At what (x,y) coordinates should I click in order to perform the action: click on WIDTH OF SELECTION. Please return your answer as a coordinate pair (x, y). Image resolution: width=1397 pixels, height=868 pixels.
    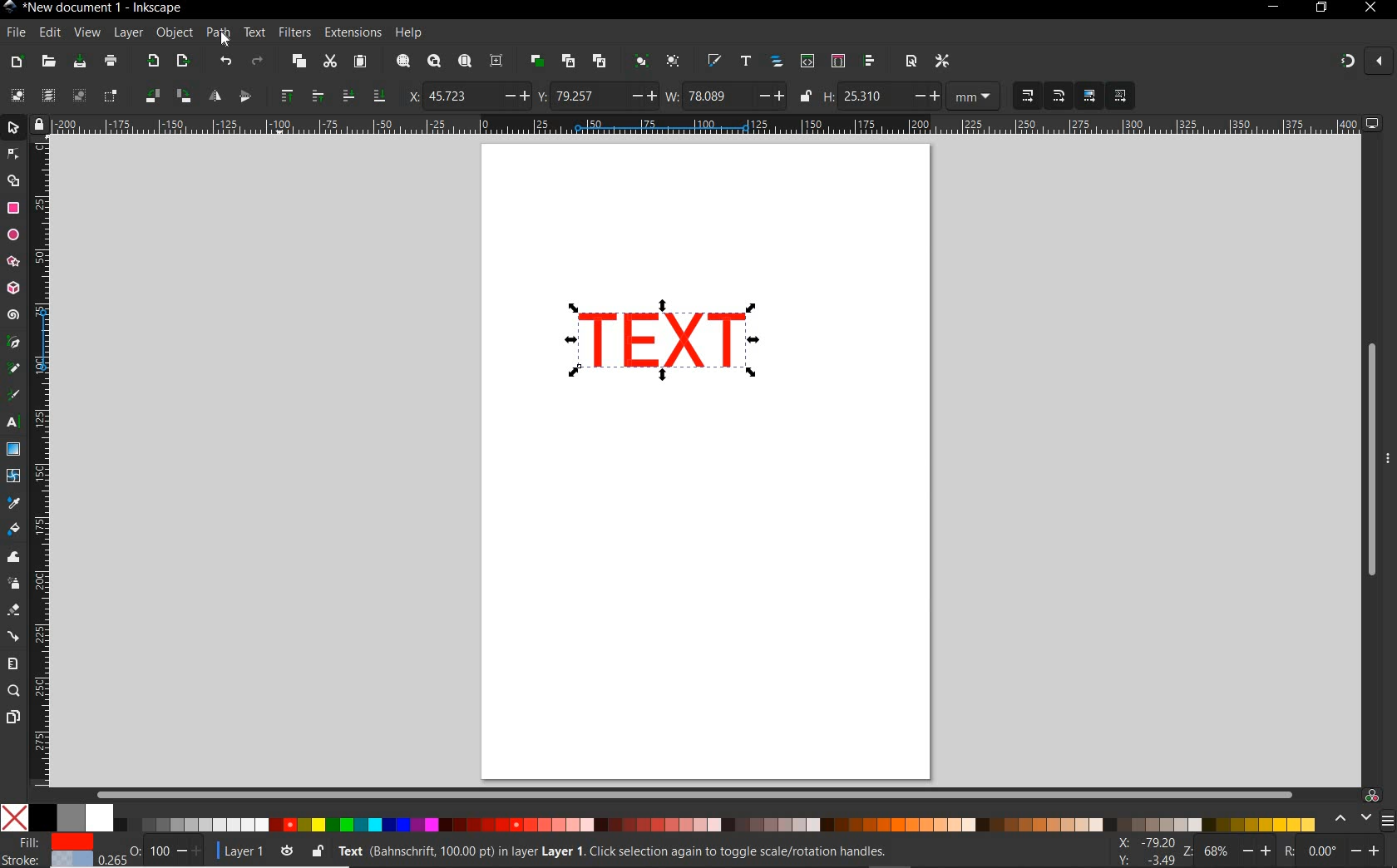
    Looking at the image, I should click on (725, 96).